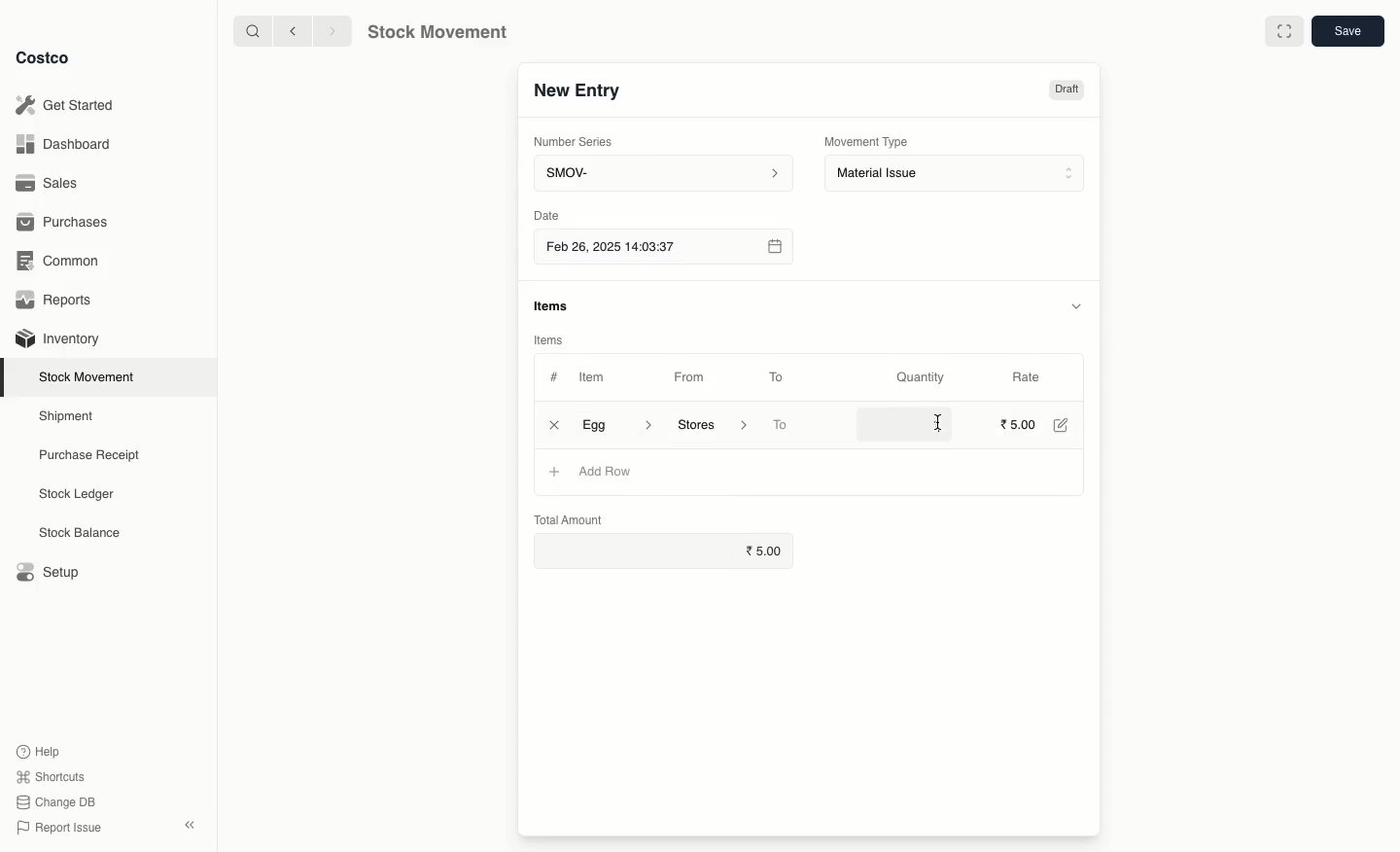 The image size is (1400, 852). What do you see at coordinates (82, 533) in the screenshot?
I see `Stock Balance` at bounding box center [82, 533].